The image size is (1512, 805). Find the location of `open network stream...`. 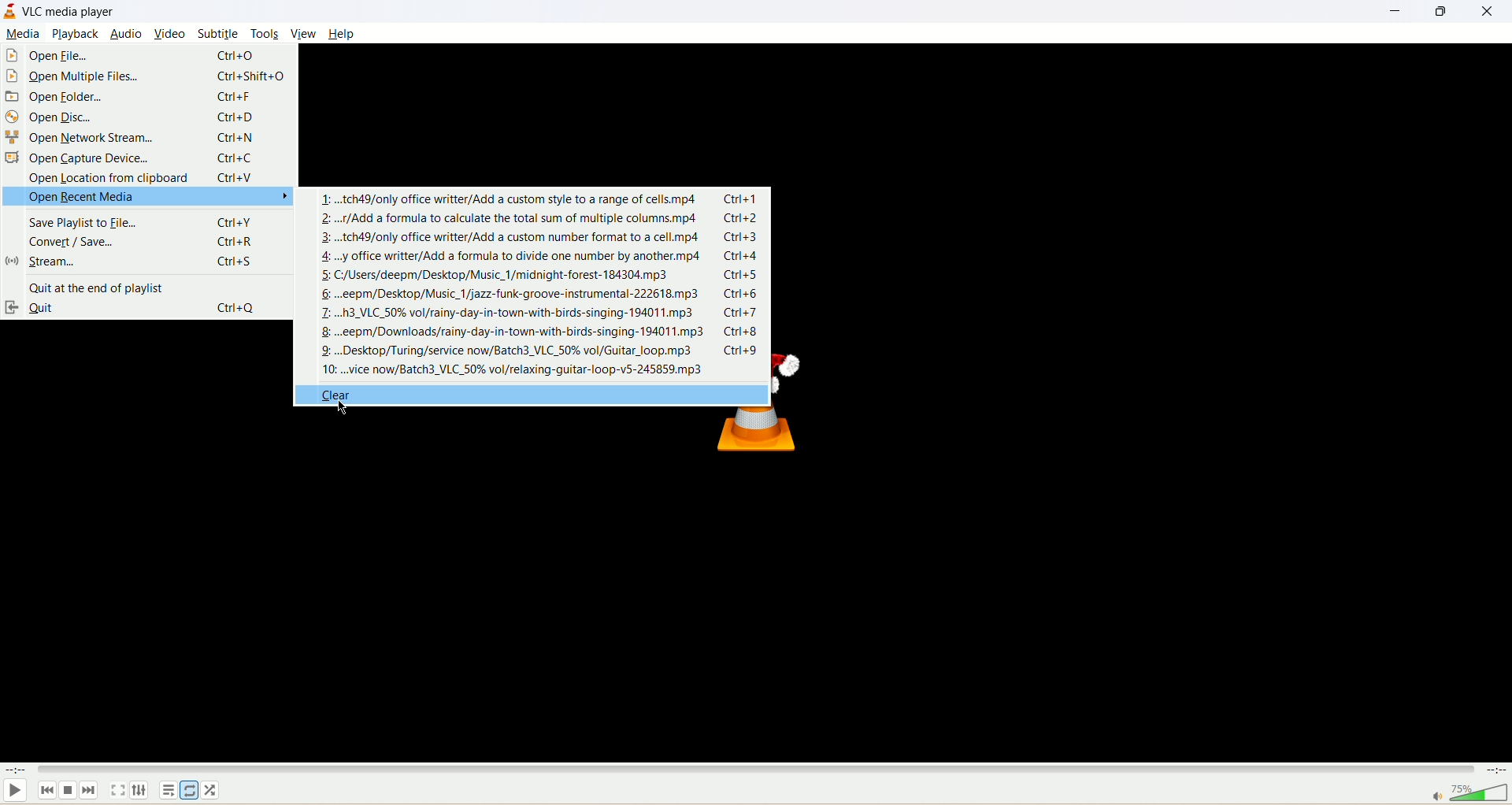

open network stream... is located at coordinates (87, 137).